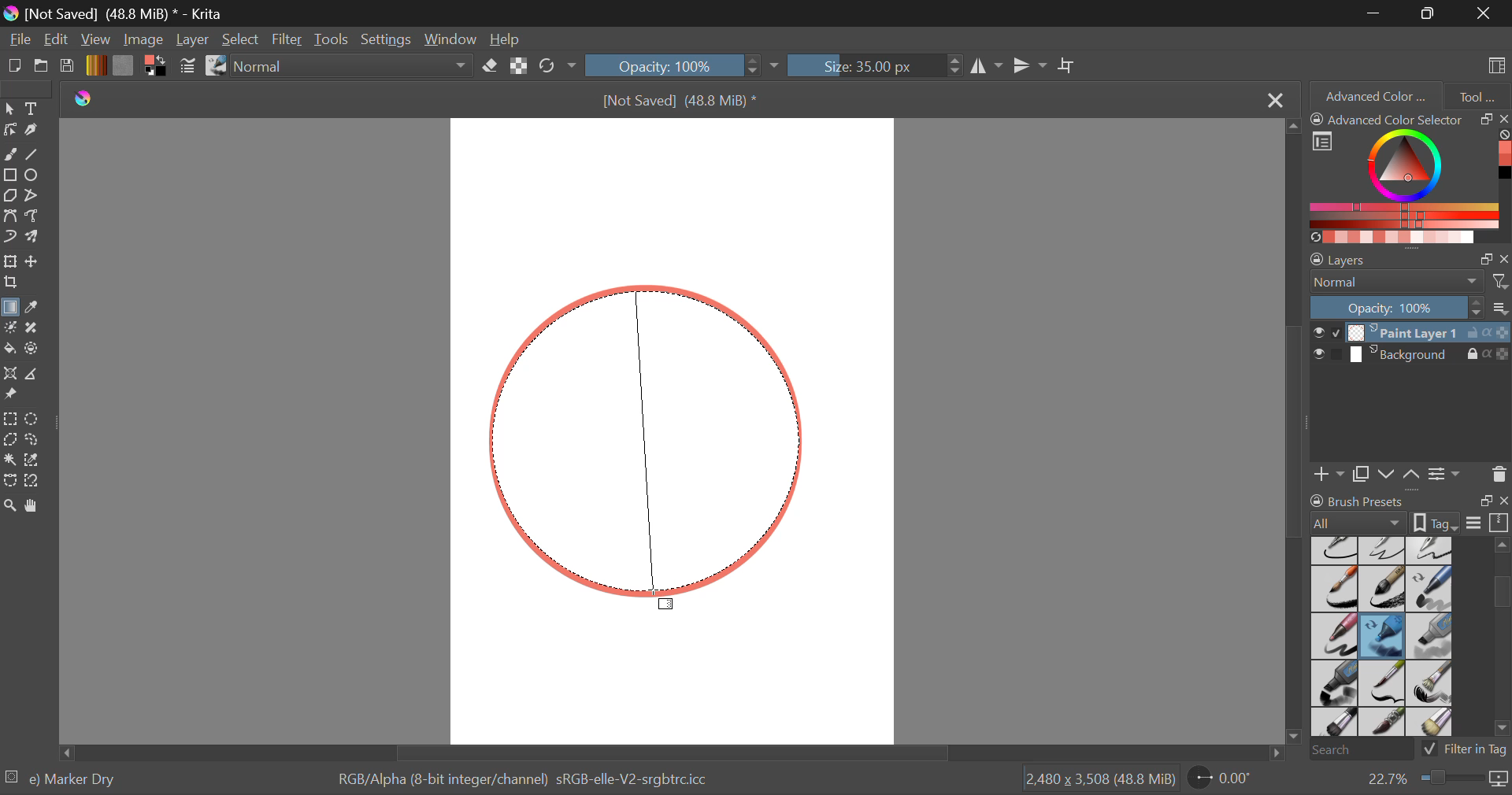  I want to click on Blending Mode, so click(356, 67).